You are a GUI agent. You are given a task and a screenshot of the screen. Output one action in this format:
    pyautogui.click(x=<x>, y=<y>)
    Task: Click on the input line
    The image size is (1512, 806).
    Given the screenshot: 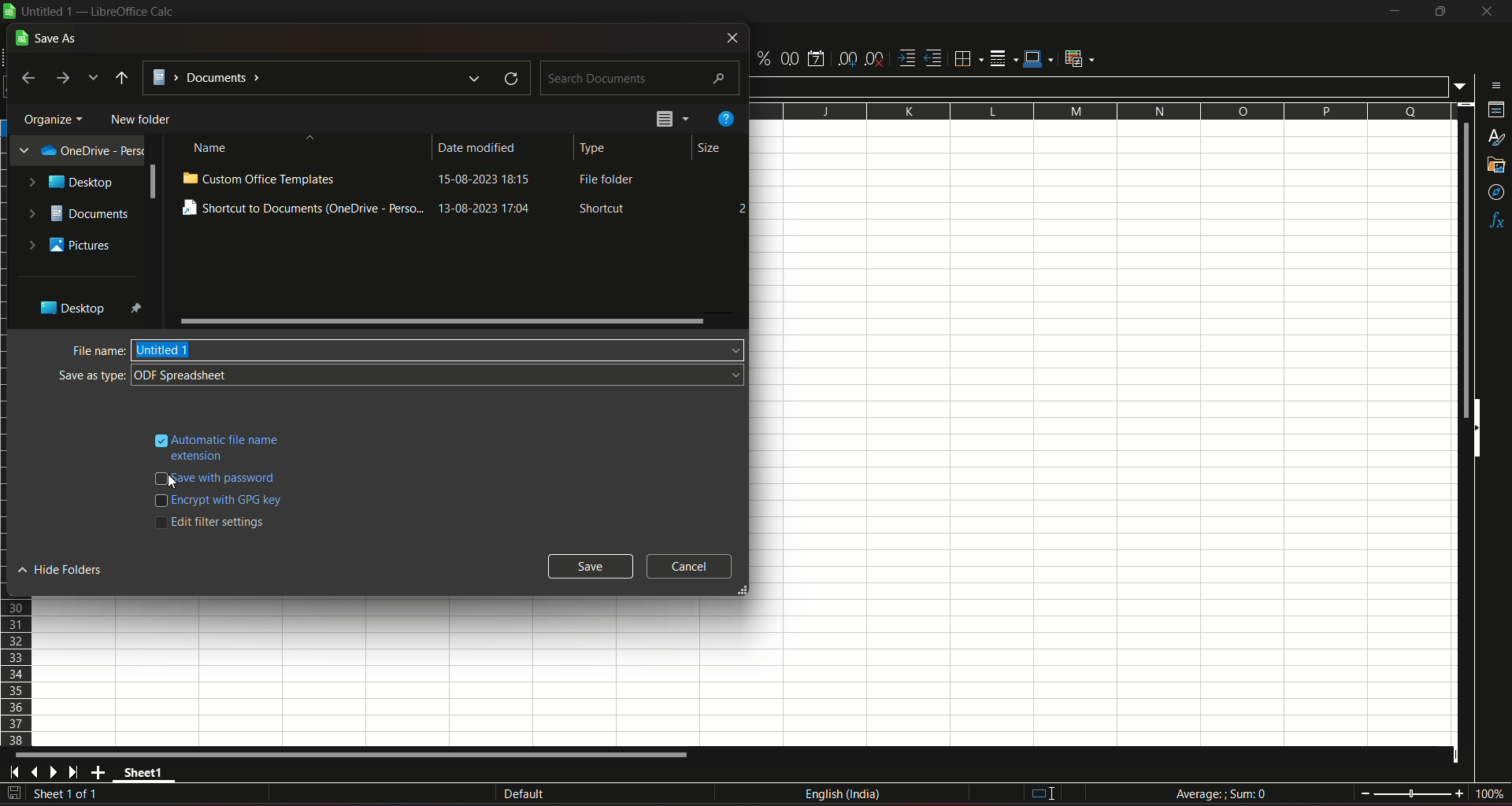 What is the action you would take?
    pyautogui.click(x=1100, y=85)
    